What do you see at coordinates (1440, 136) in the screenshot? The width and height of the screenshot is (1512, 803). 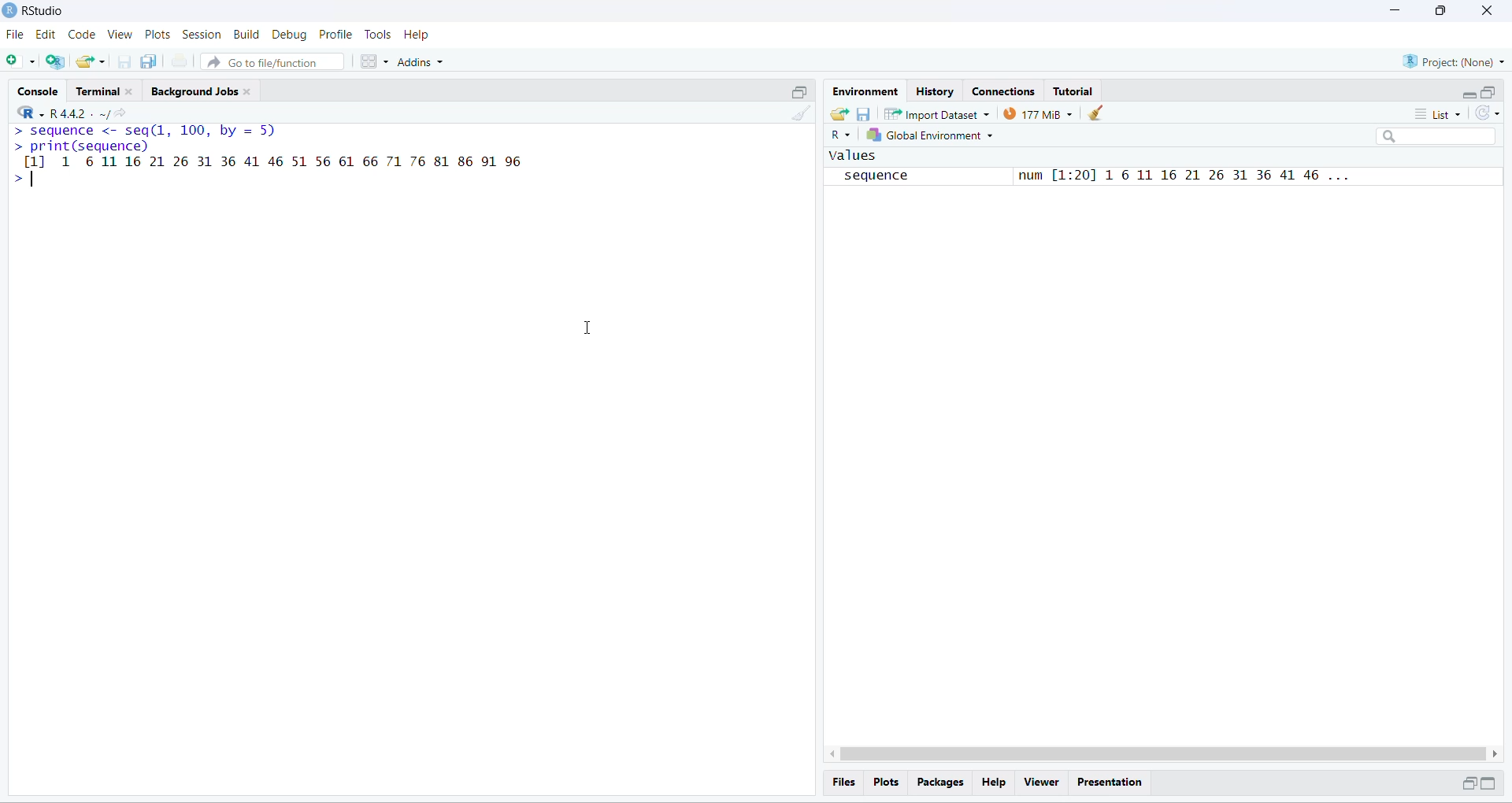 I see `search box` at bounding box center [1440, 136].